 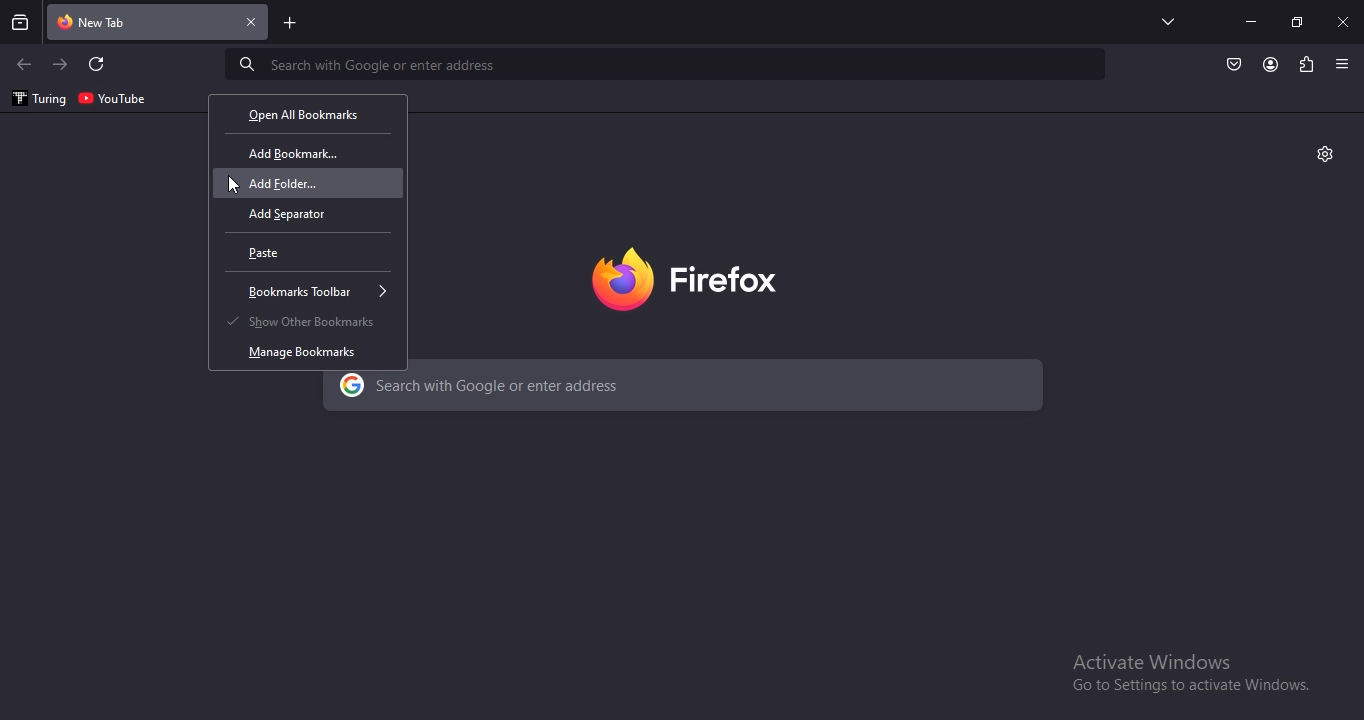 I want to click on open all bookmarks, so click(x=303, y=113).